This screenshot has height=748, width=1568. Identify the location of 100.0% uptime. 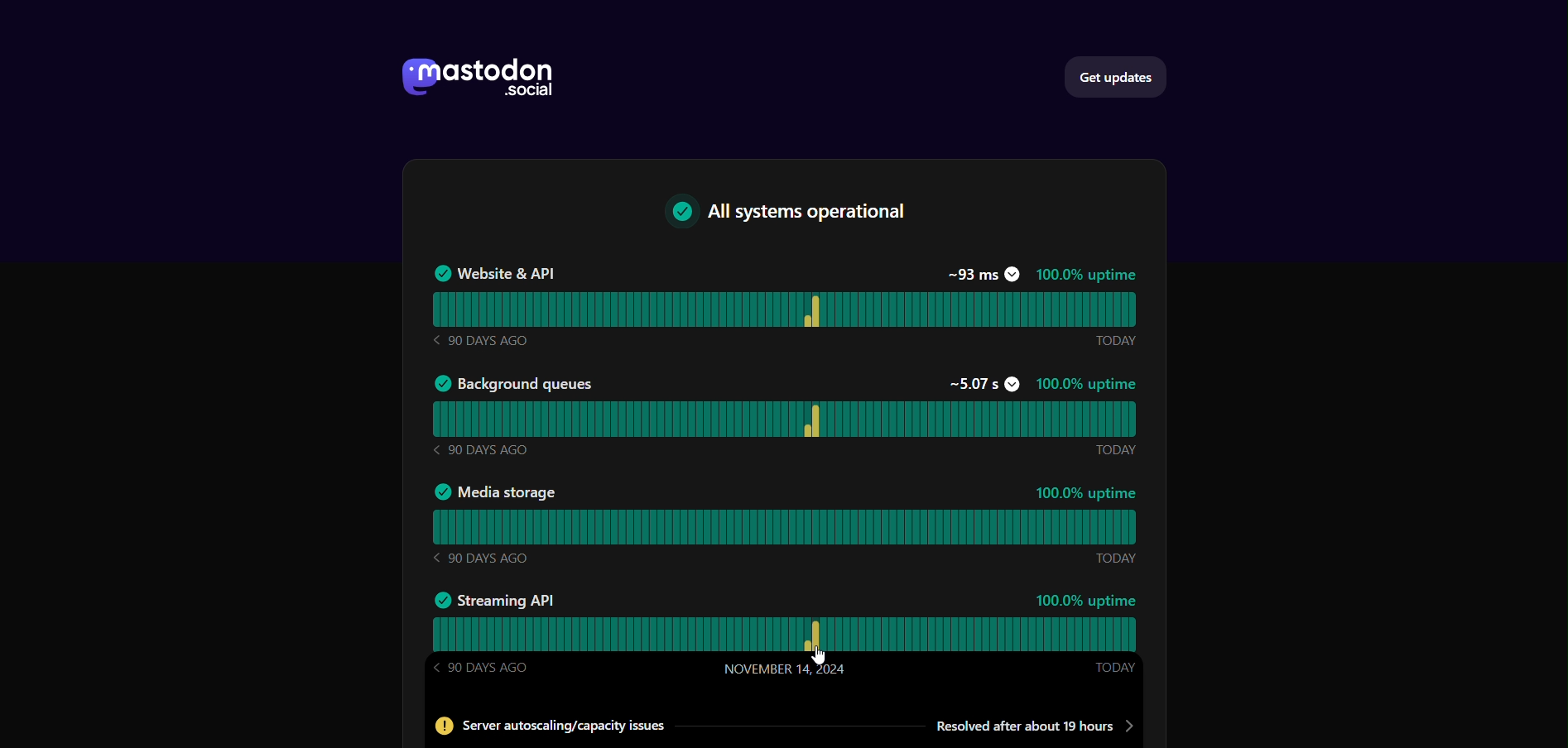
(1087, 601).